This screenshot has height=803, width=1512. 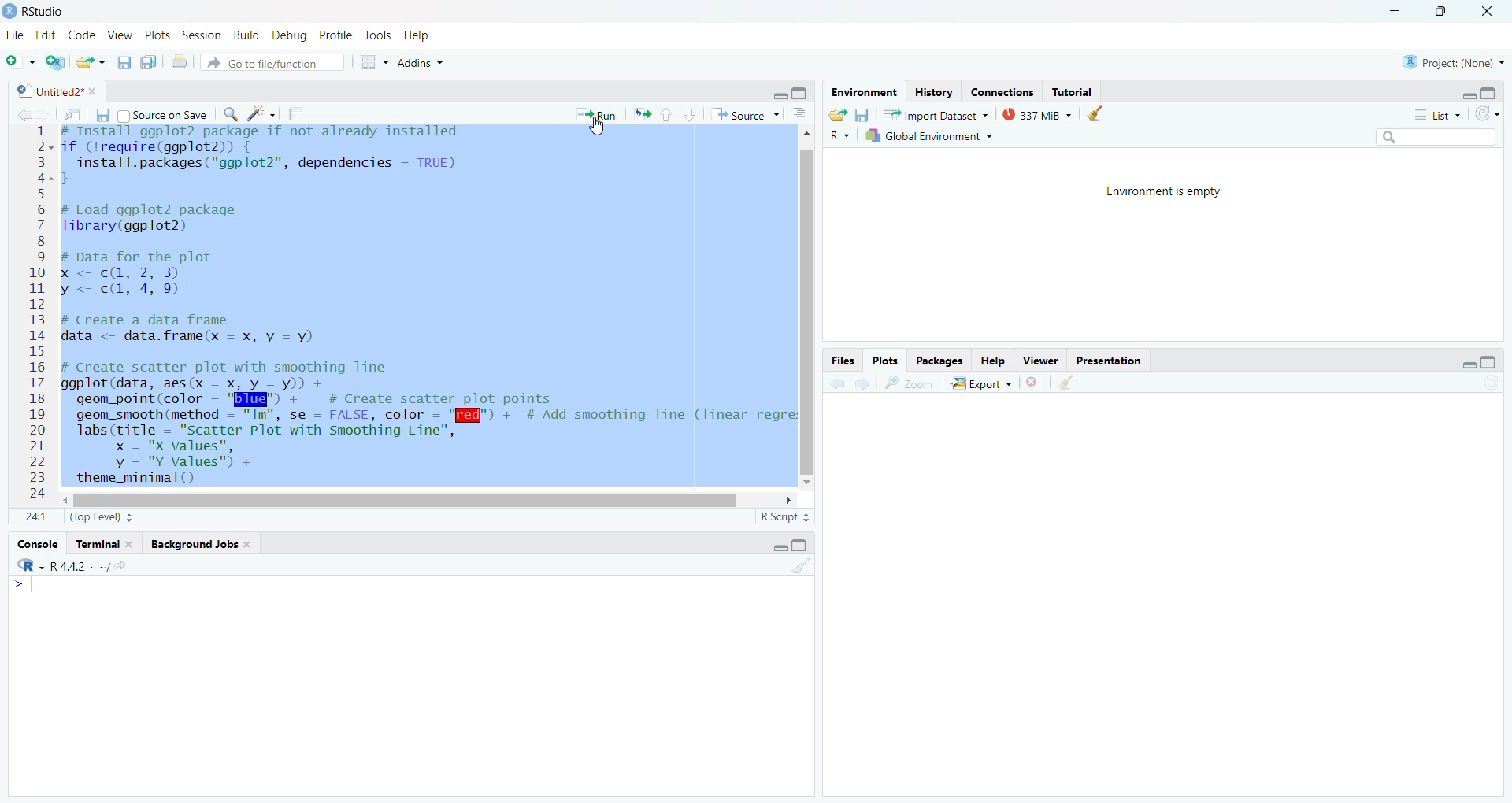 I want to click on hide r script, so click(x=776, y=96).